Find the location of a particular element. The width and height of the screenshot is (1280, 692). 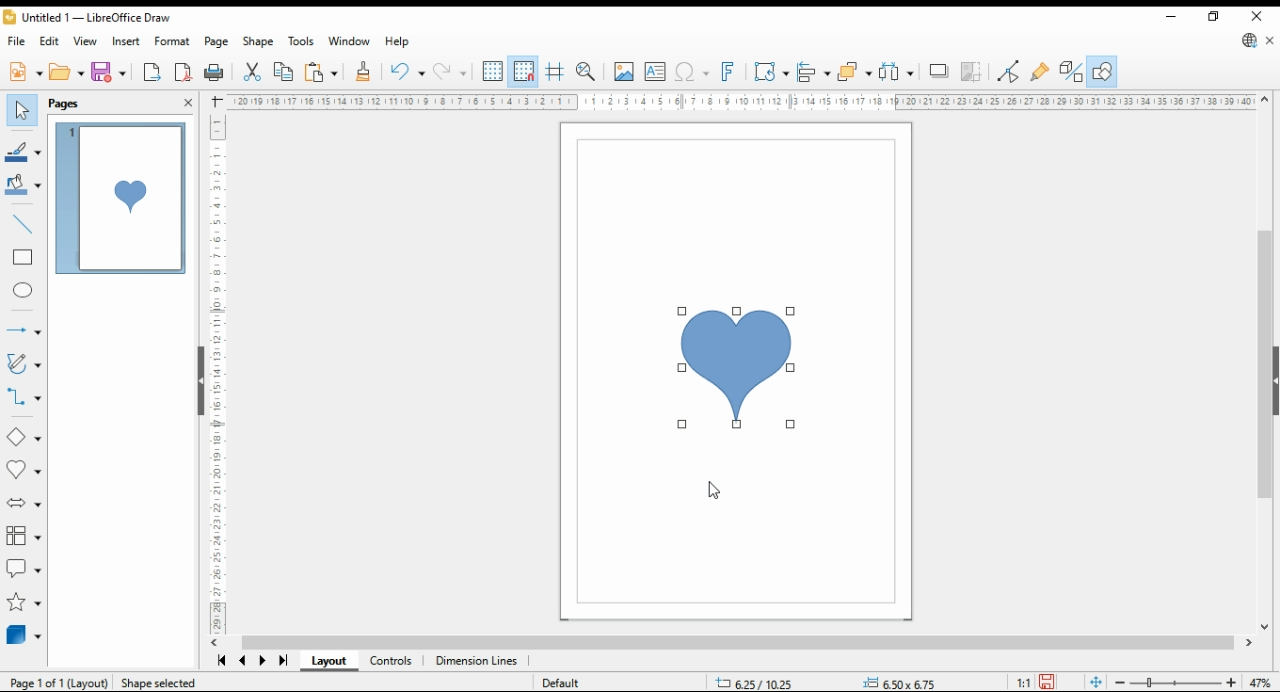

next page is located at coordinates (264, 663).